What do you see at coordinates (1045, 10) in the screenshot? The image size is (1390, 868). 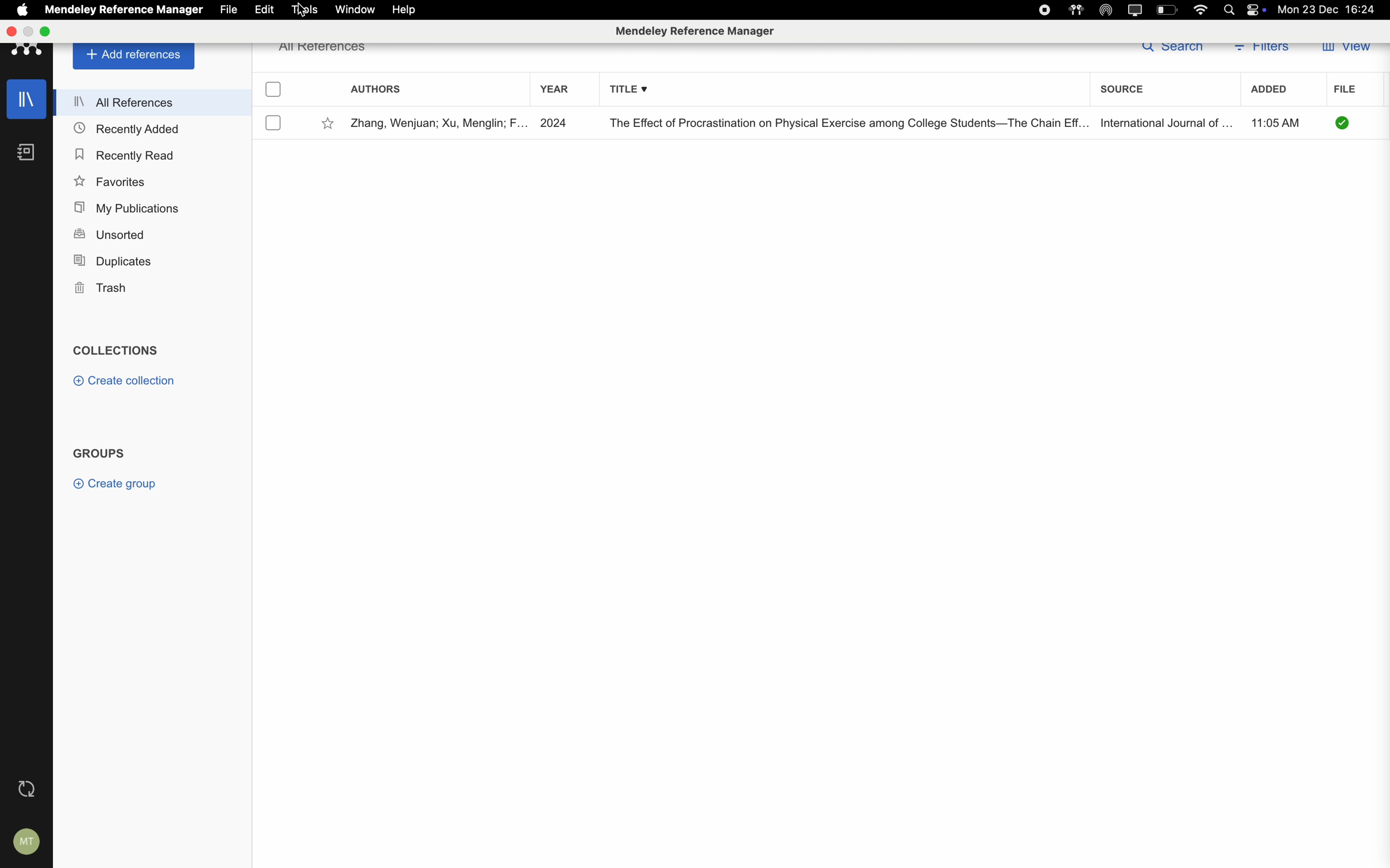 I see `stop record` at bounding box center [1045, 10].